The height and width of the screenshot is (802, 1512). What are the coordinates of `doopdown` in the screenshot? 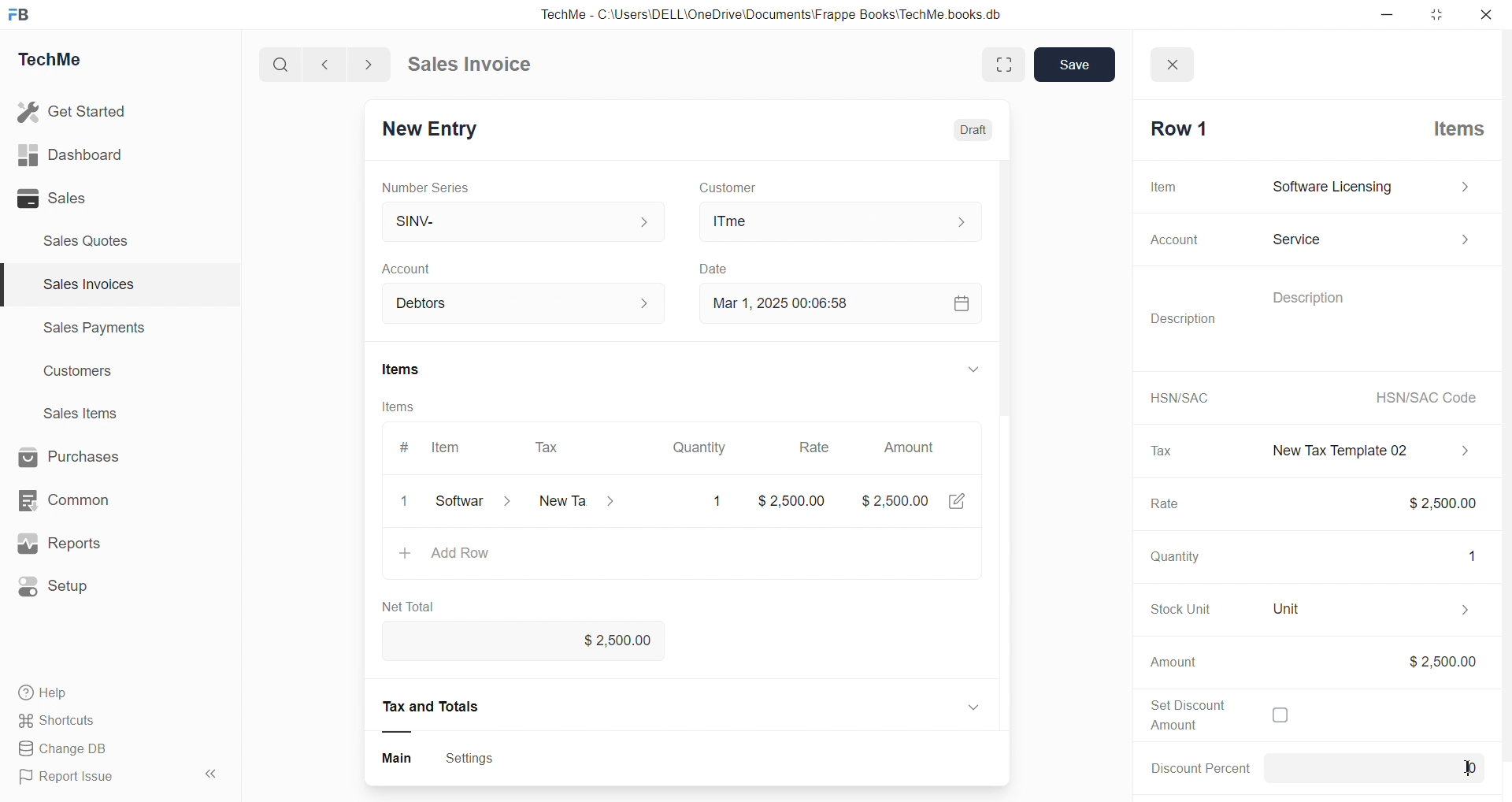 It's located at (976, 370).